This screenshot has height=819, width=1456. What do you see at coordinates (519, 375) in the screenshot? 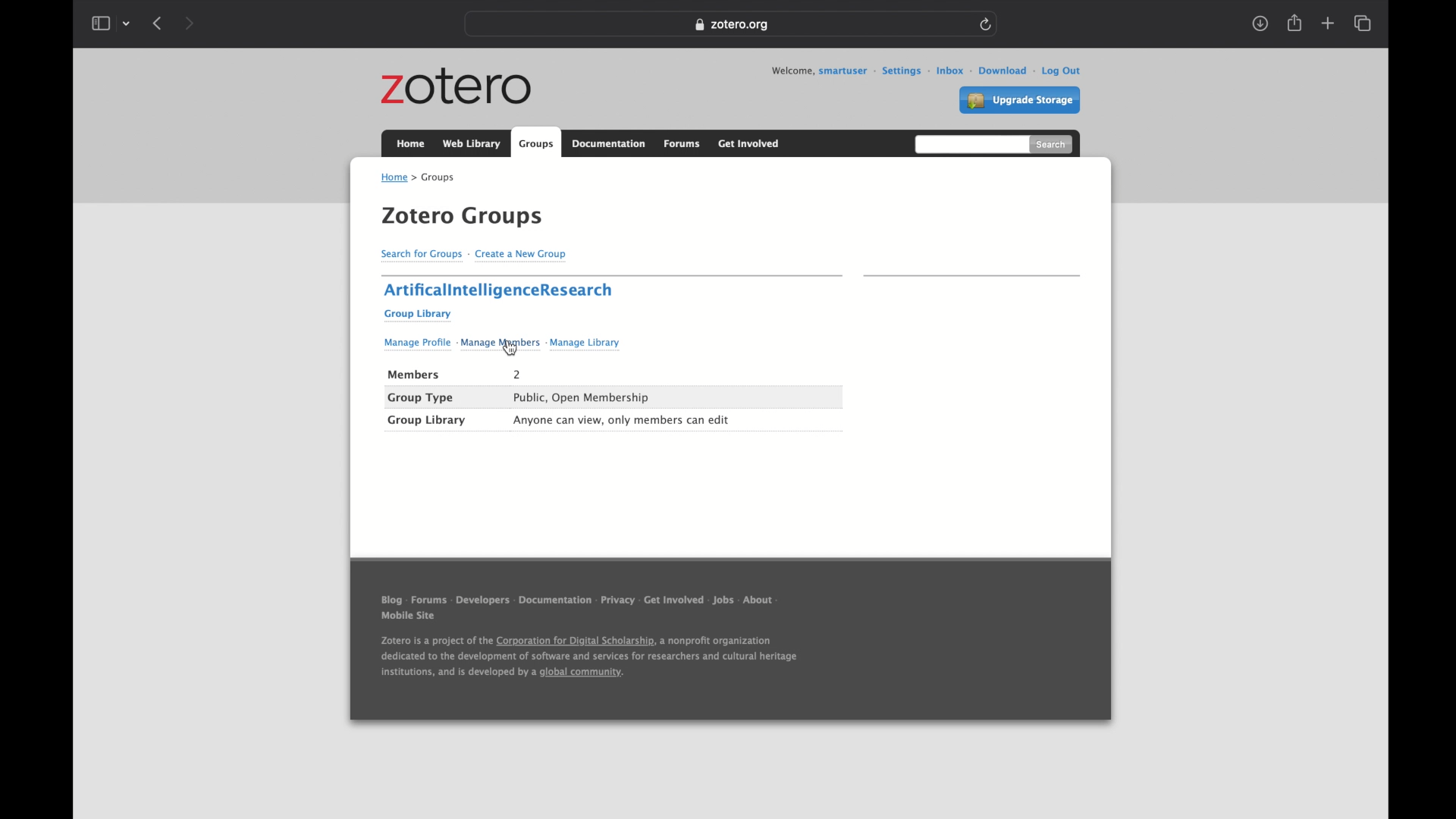
I see `2` at bounding box center [519, 375].